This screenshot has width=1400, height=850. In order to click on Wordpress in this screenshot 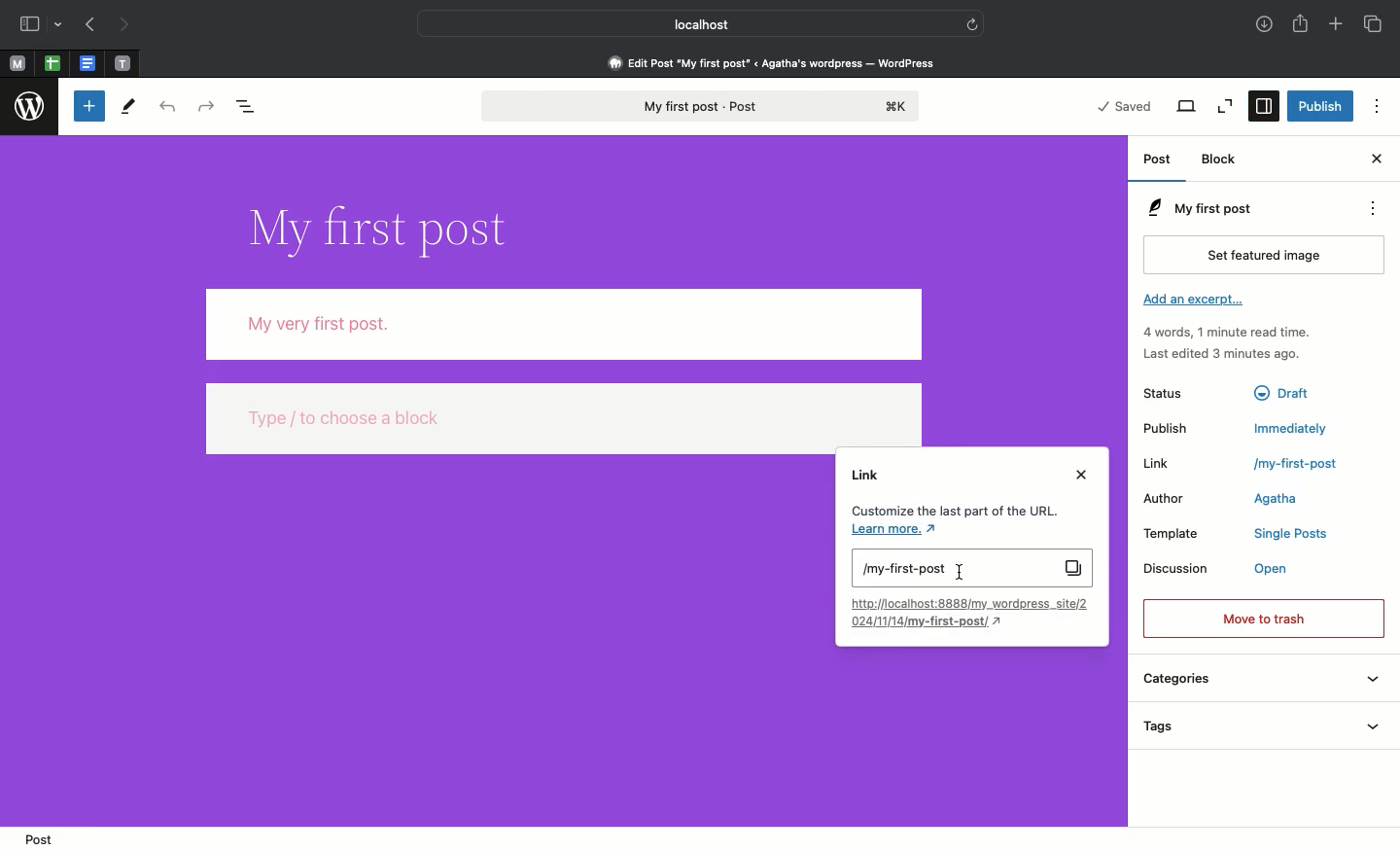, I will do `click(28, 107)`.